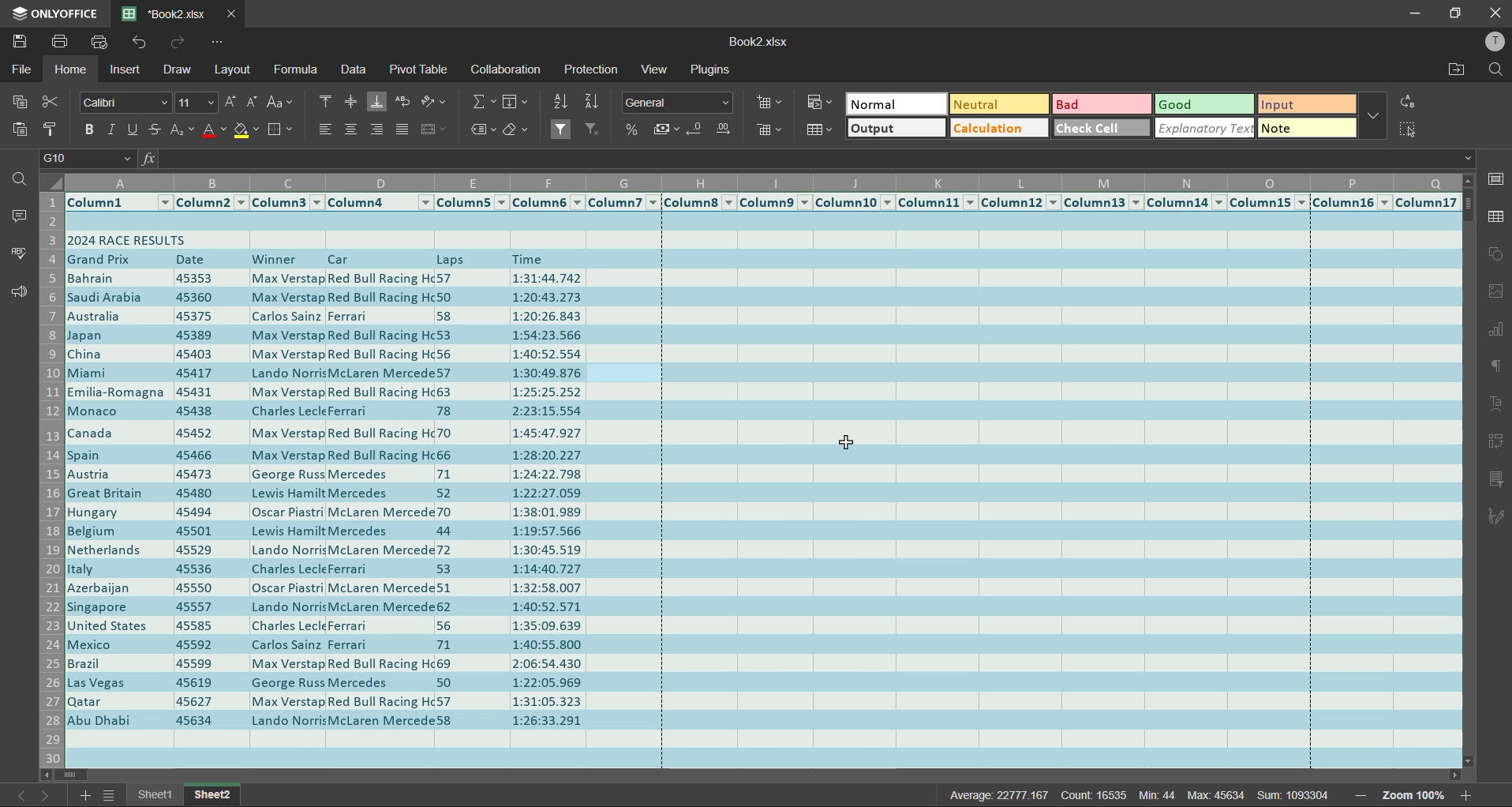  Describe the element at coordinates (52, 102) in the screenshot. I see `cut` at that location.